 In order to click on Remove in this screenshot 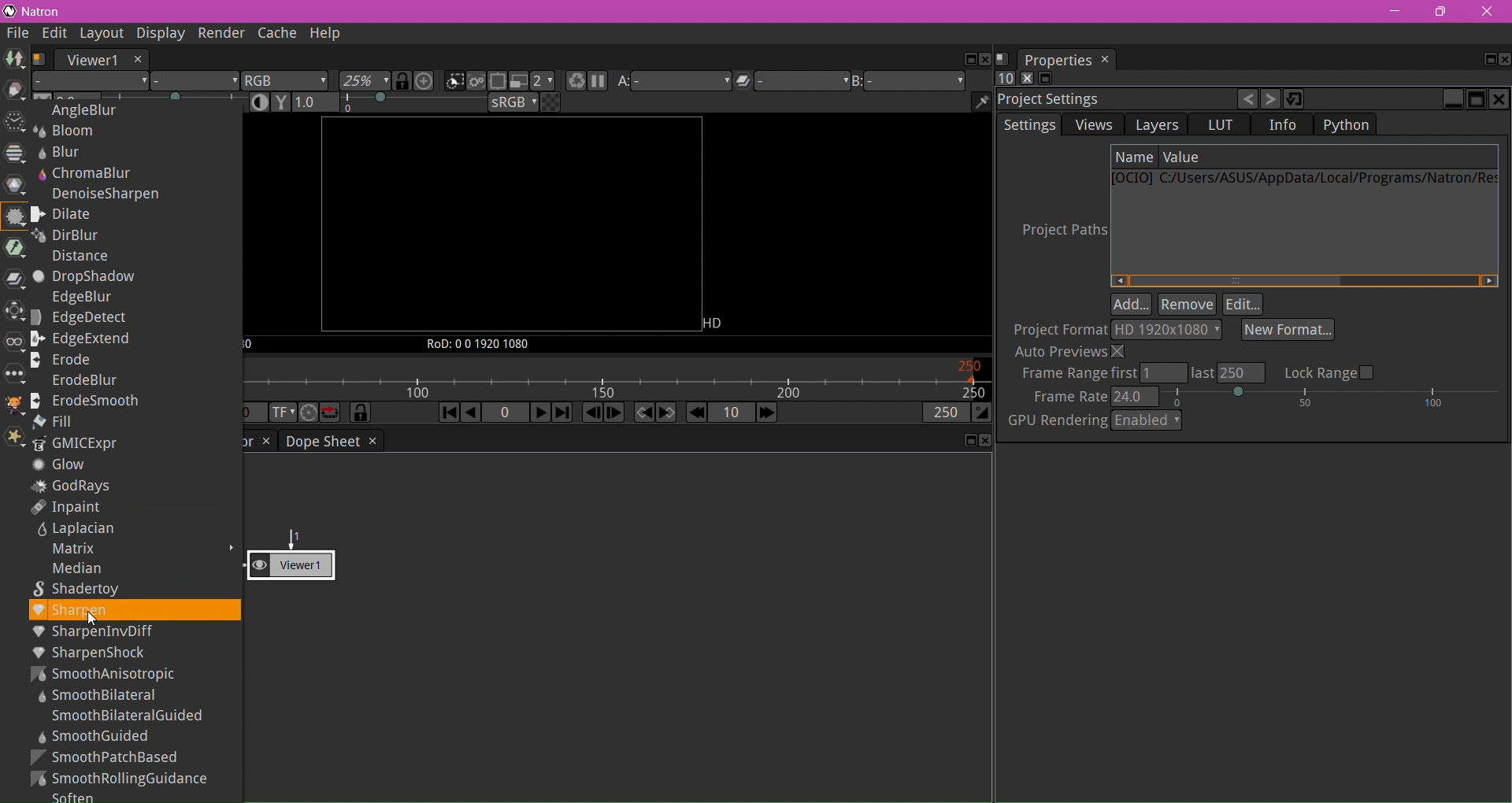, I will do `click(1188, 305)`.